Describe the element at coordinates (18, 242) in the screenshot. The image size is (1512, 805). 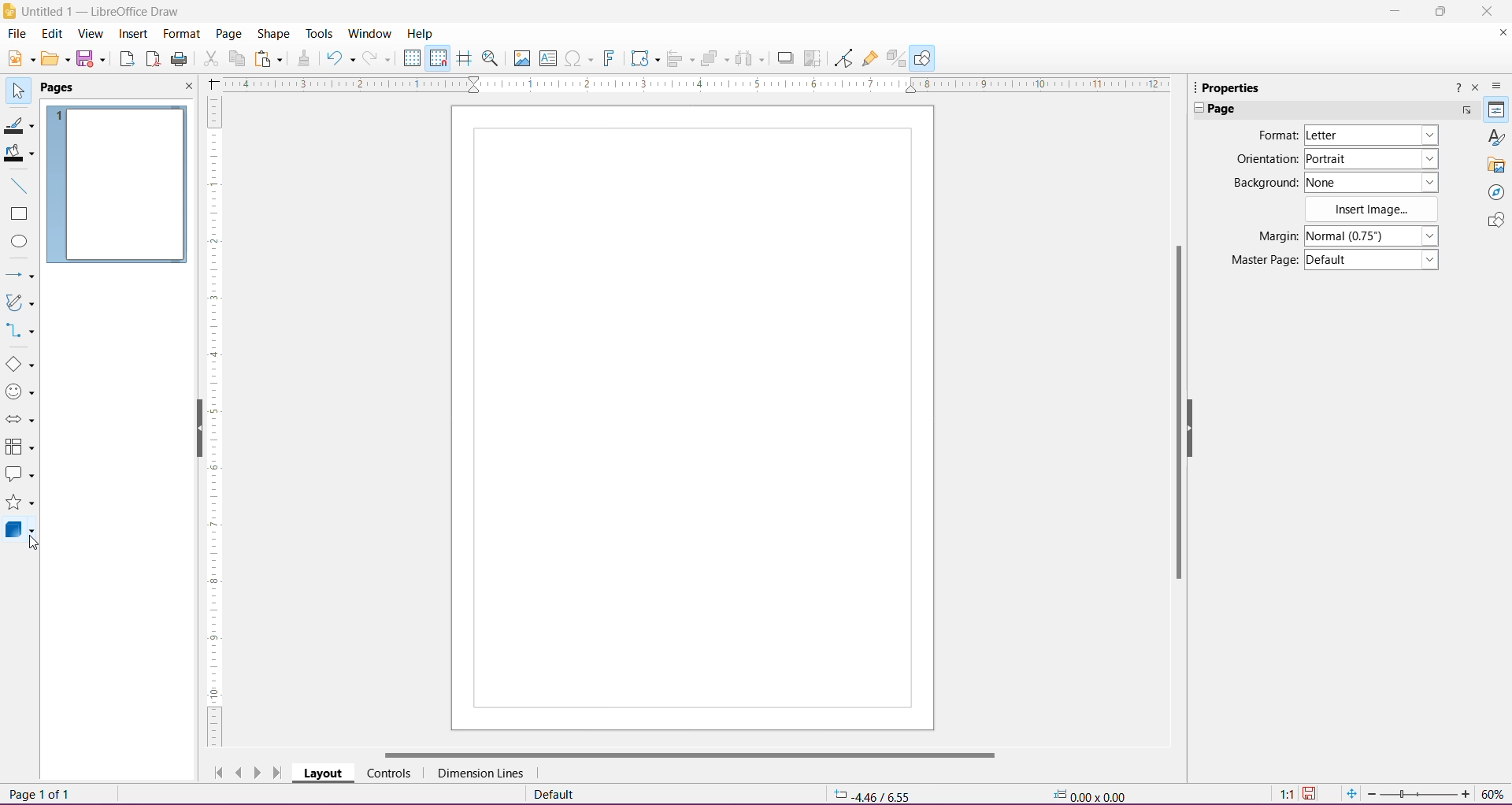
I see `Ellipse` at that location.